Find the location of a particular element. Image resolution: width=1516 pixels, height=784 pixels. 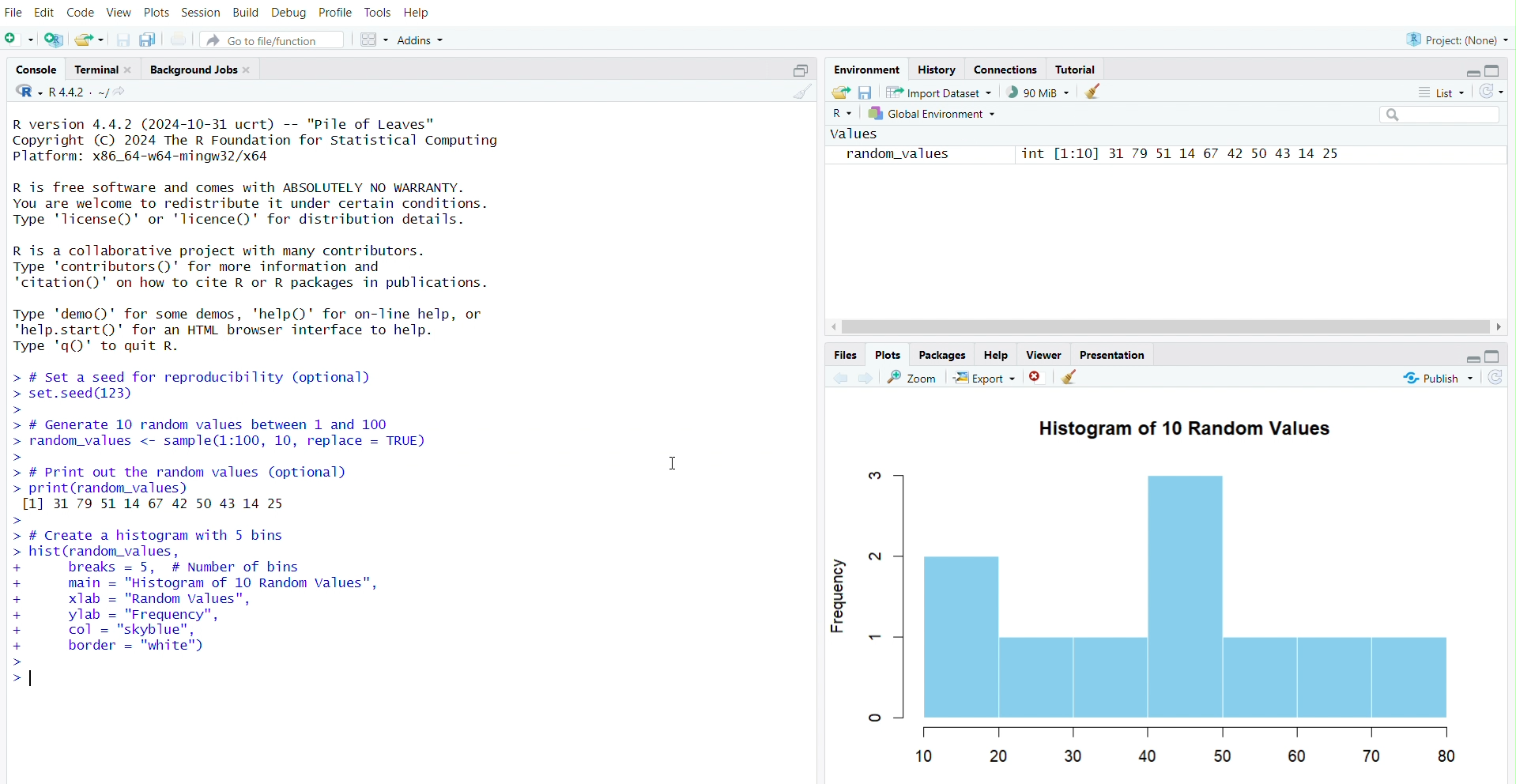

files is located at coordinates (846, 356).